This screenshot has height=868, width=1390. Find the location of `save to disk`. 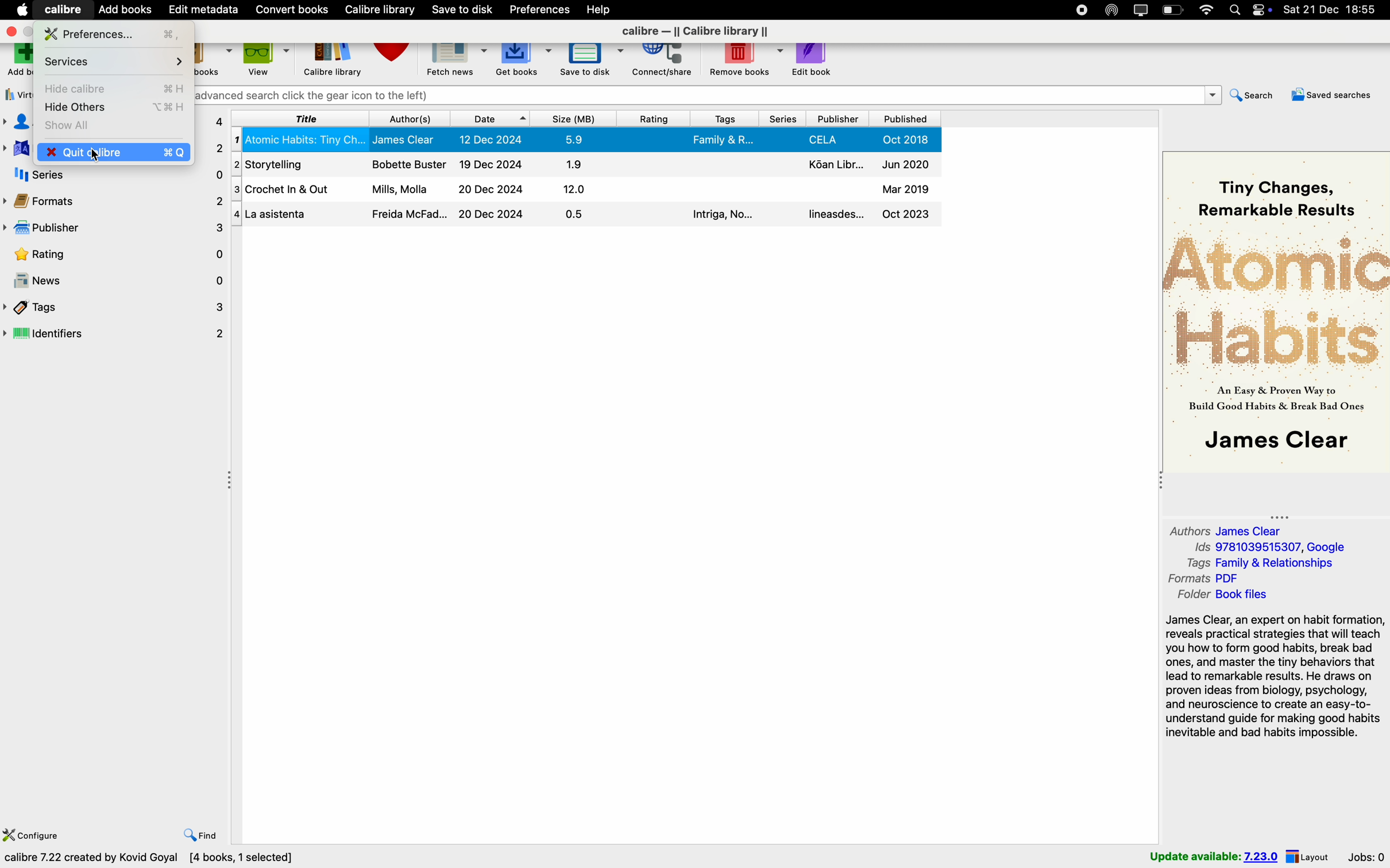

save to disk is located at coordinates (461, 10).